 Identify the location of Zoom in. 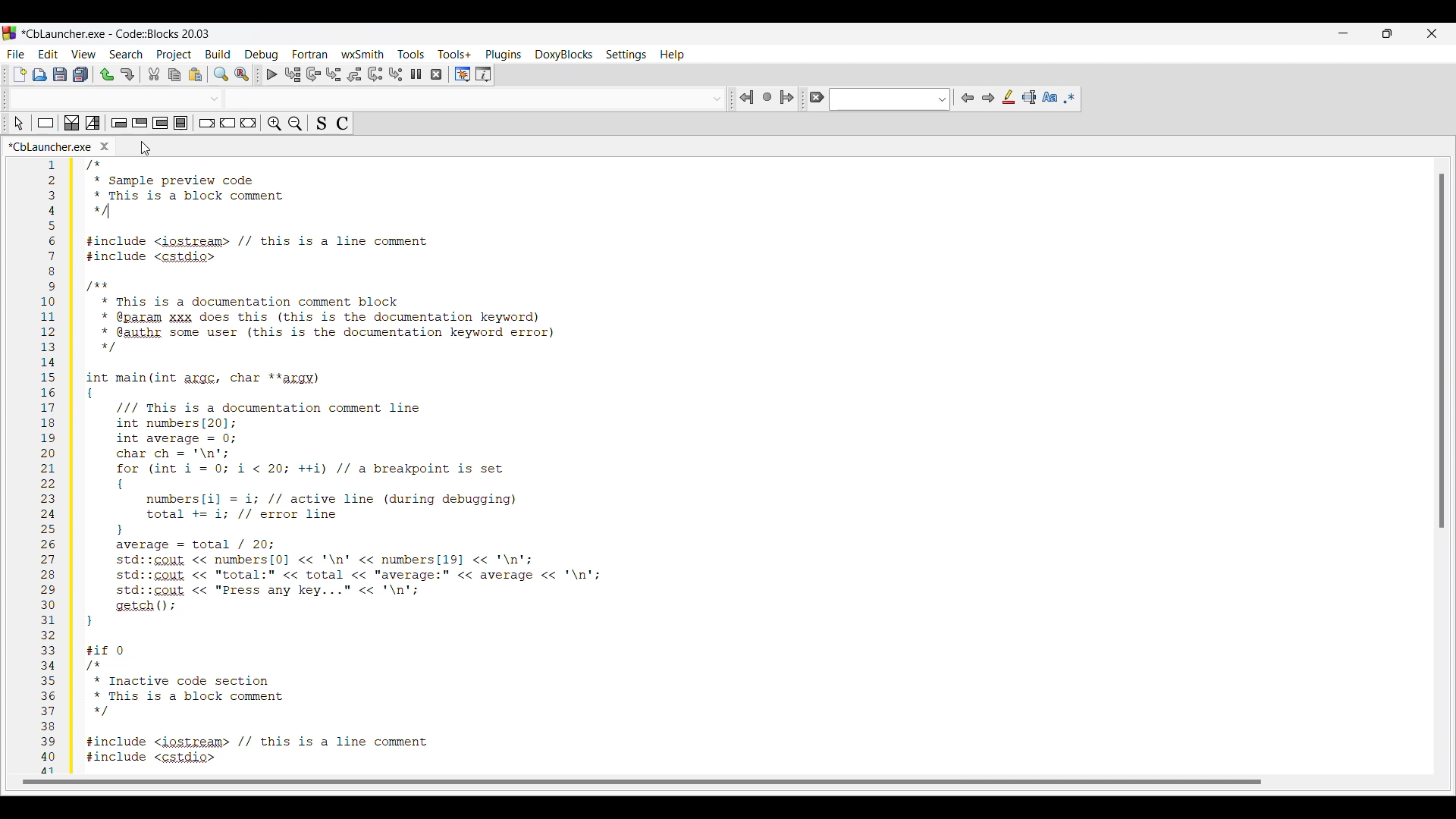
(275, 124).